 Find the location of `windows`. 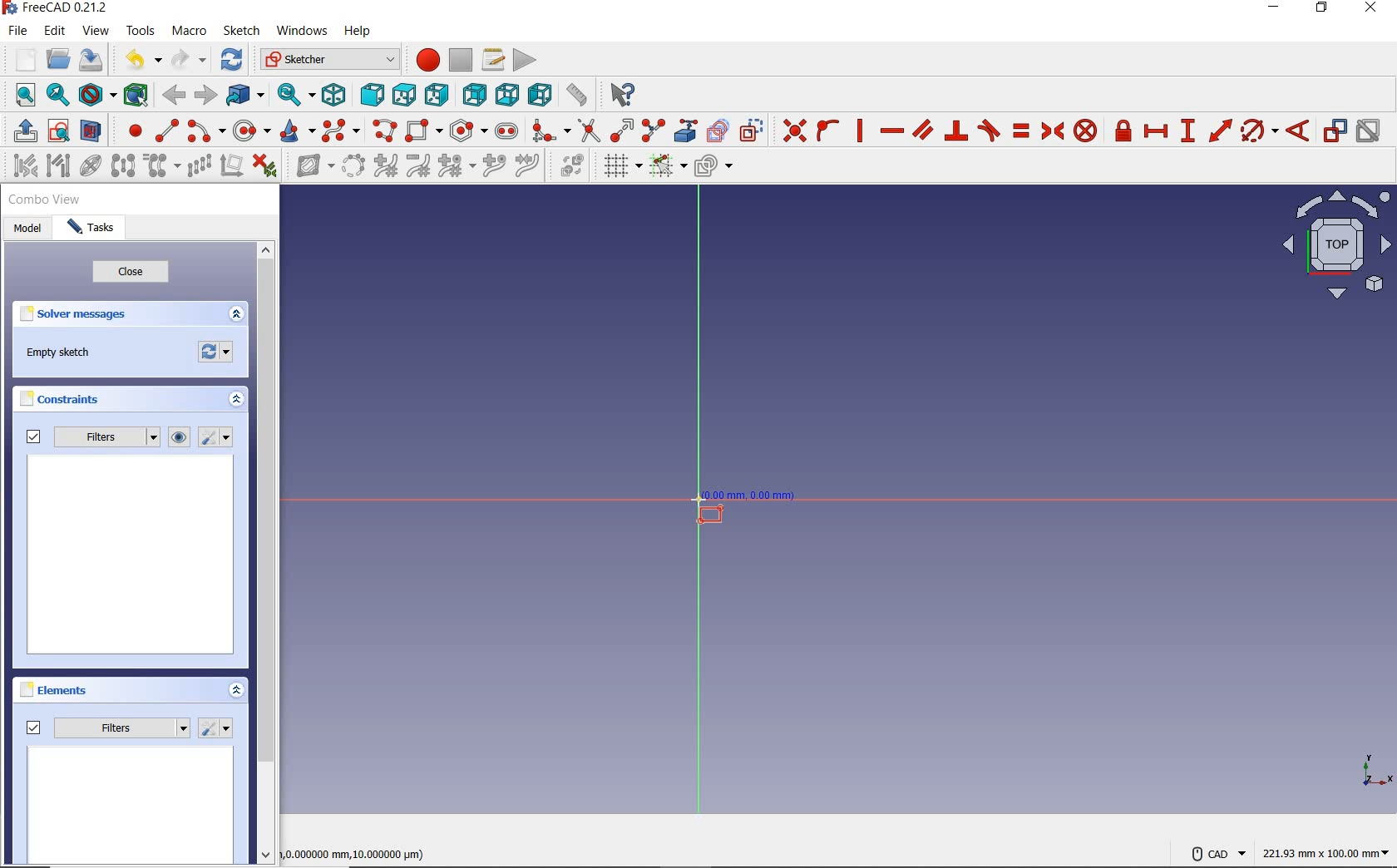

windows is located at coordinates (302, 31).